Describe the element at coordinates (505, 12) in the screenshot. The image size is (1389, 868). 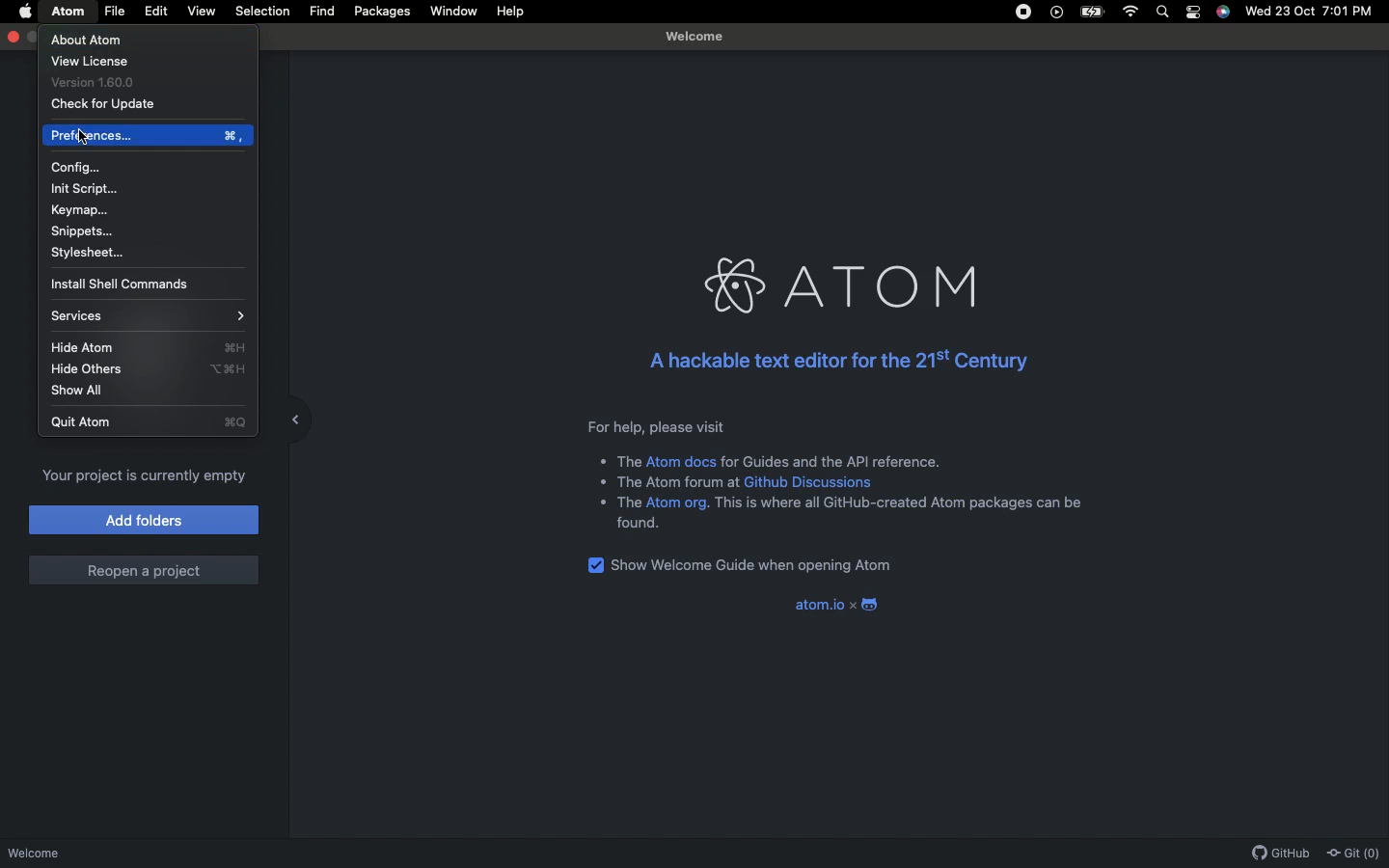
I see `Help` at that location.